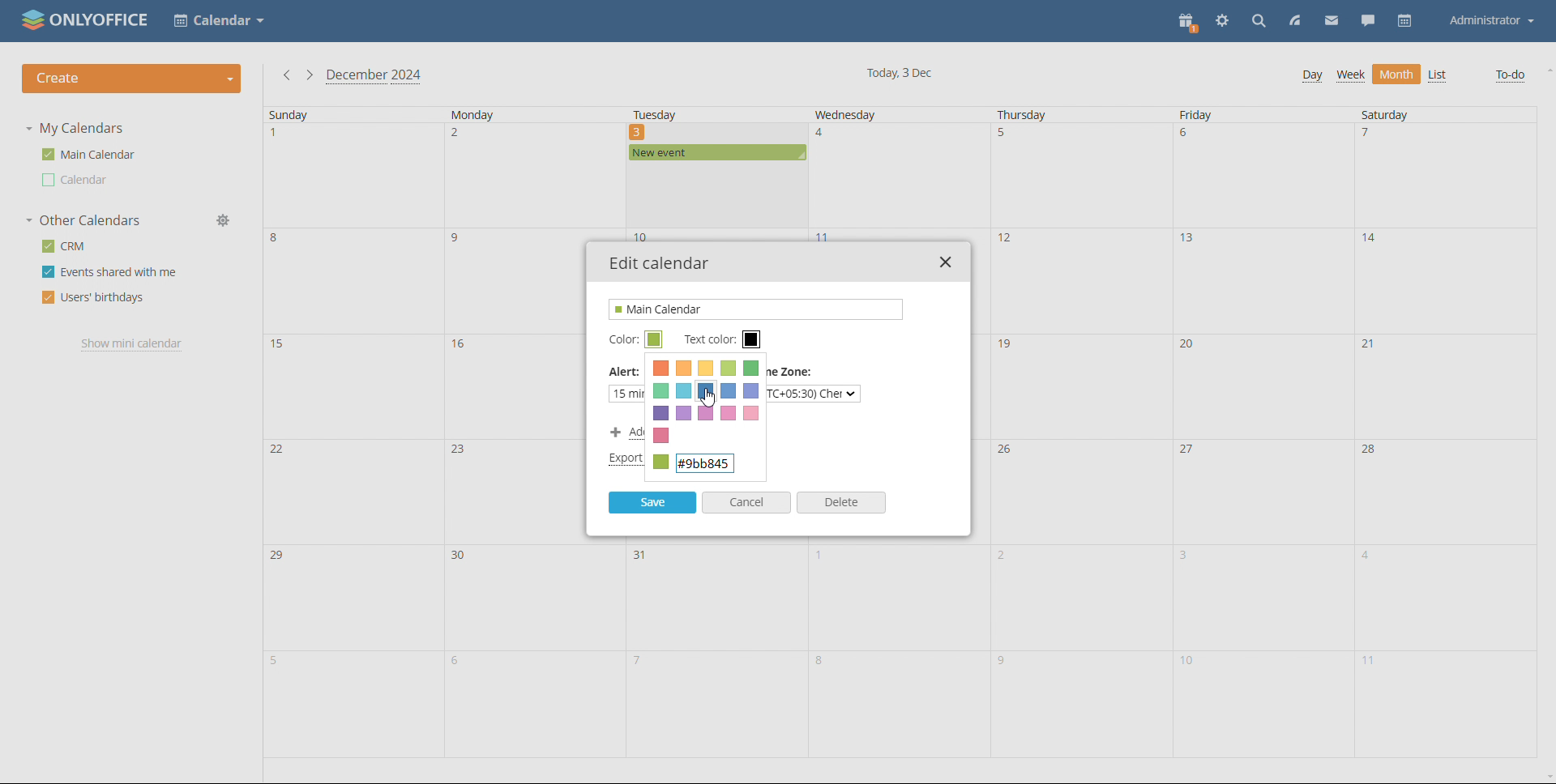 The height and width of the screenshot is (784, 1556). I want to click on set color, so click(654, 339).